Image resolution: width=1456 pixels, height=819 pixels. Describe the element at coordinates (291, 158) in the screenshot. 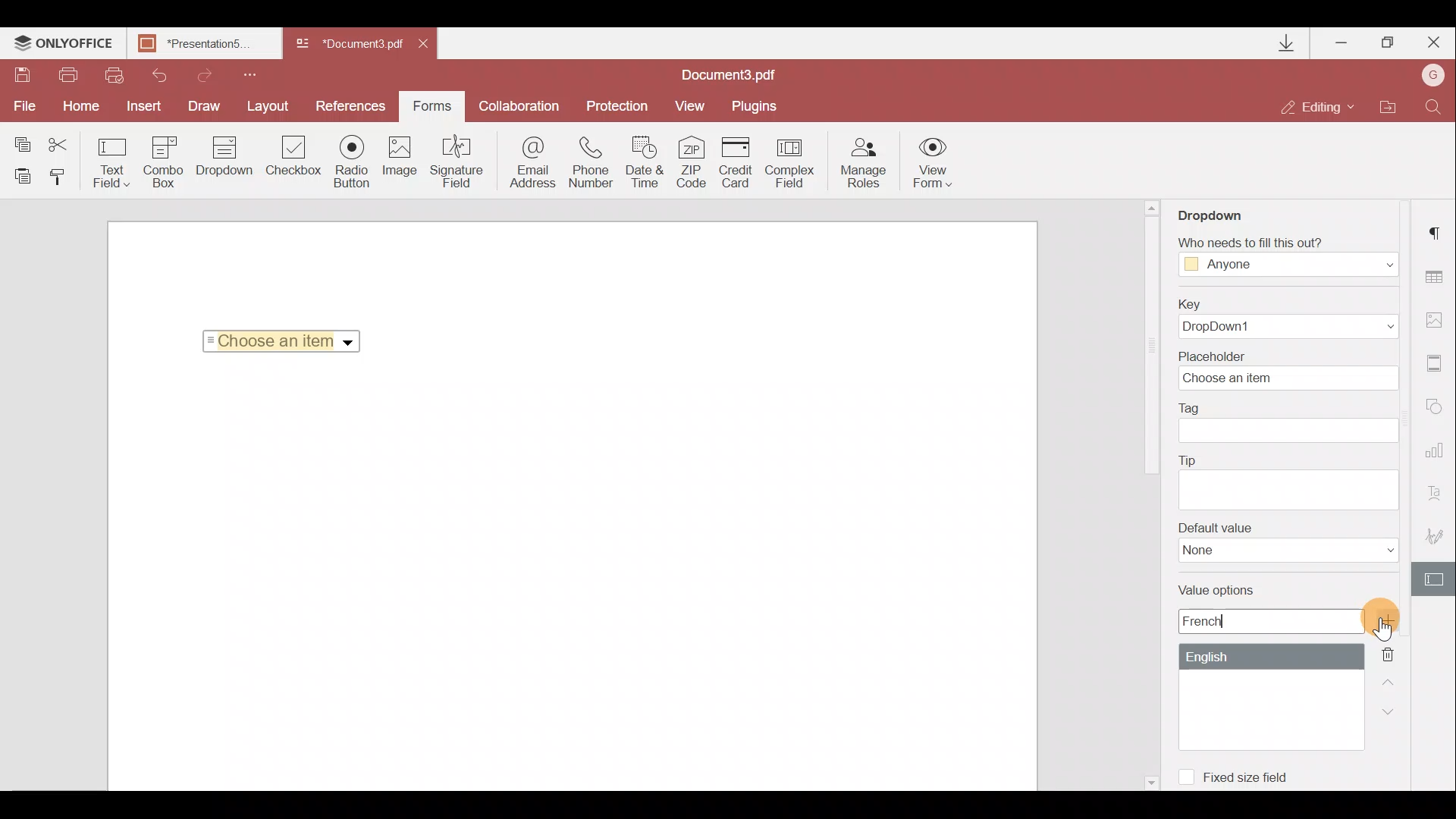

I see `Checkbox` at that location.